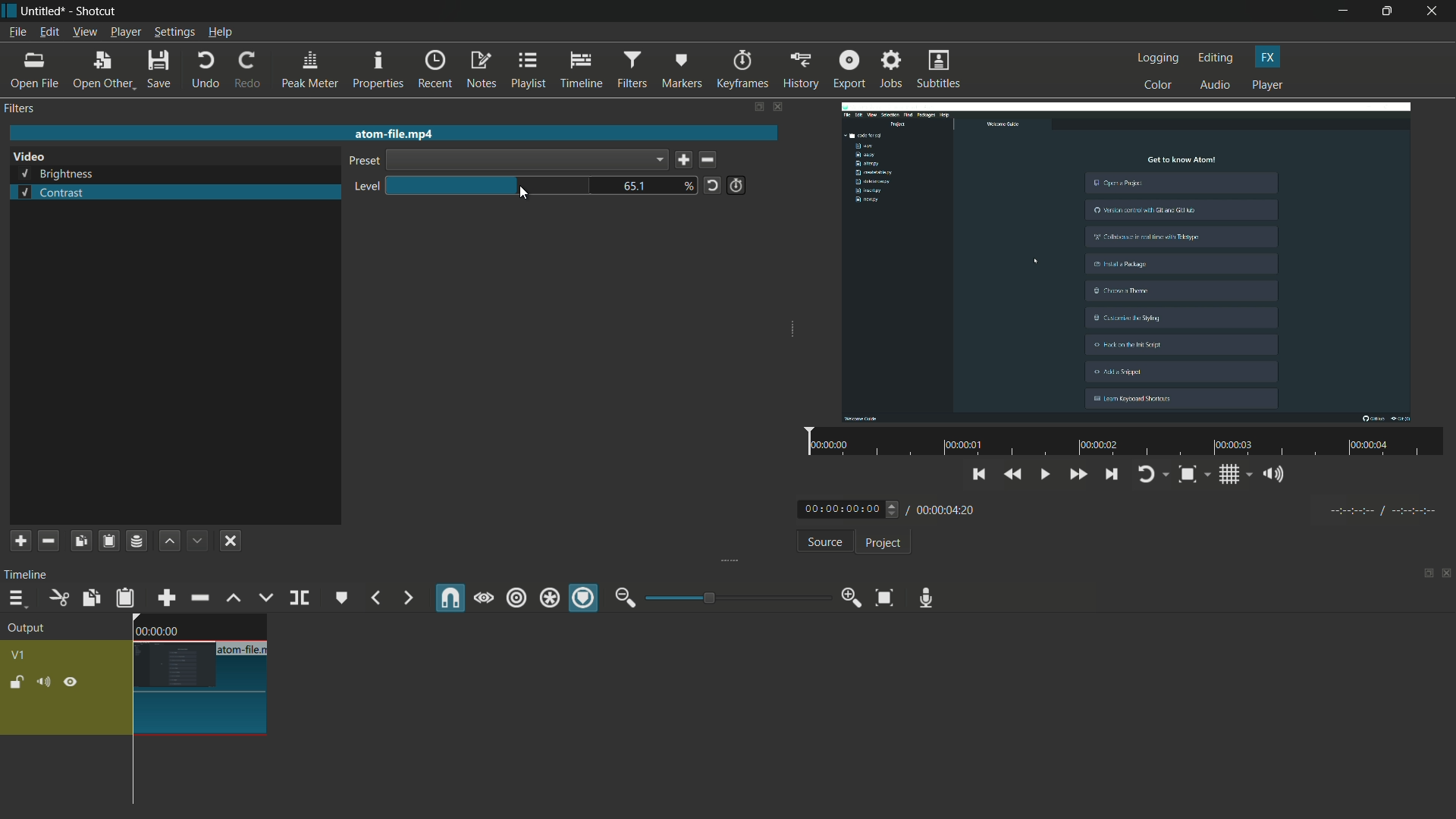 The width and height of the screenshot is (1456, 819). Describe the element at coordinates (1423, 575) in the screenshot. I see `show tabs` at that location.